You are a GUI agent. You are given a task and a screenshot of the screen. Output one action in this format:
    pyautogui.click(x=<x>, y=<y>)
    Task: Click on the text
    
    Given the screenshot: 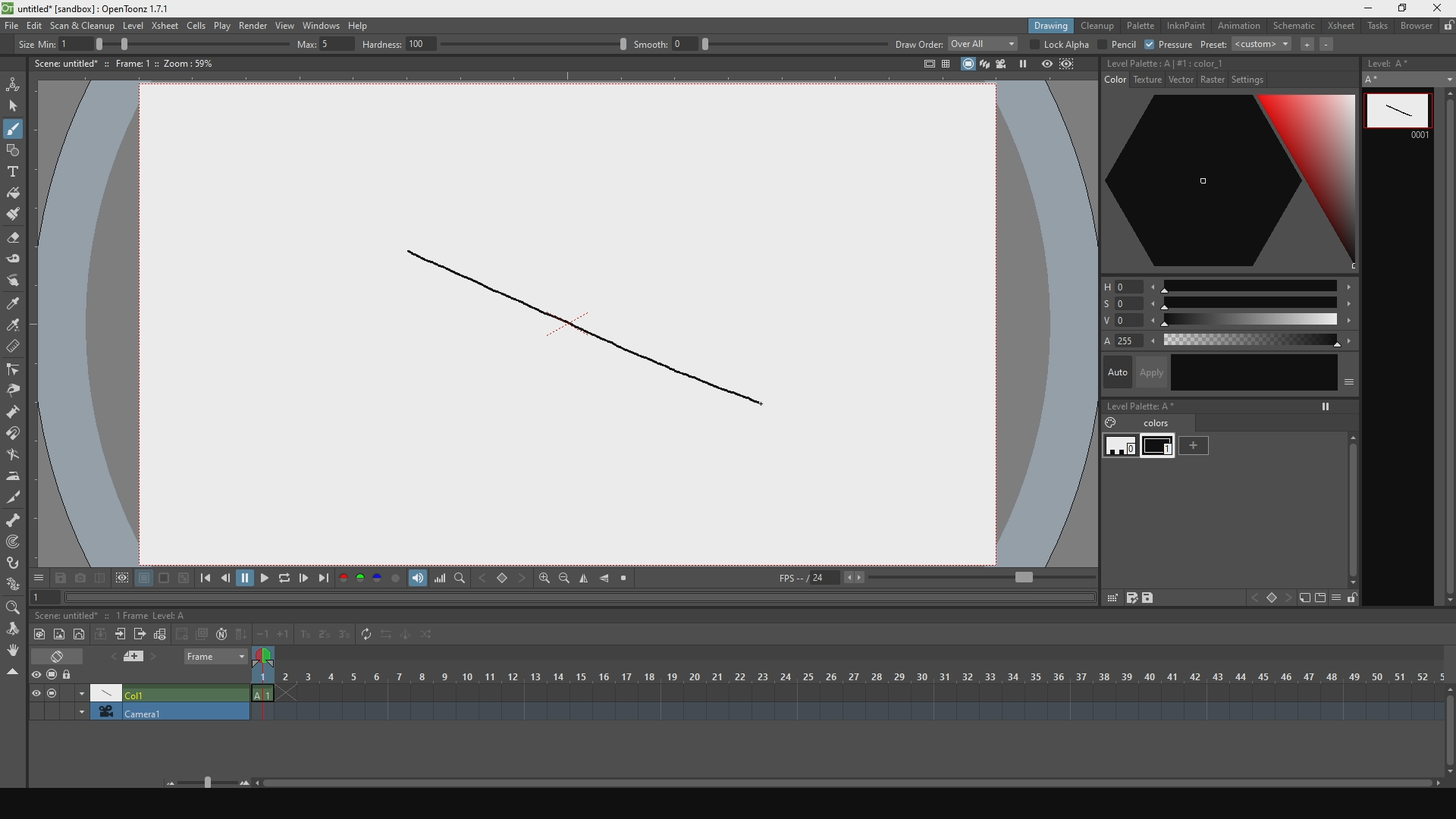 What is the action you would take?
    pyautogui.click(x=14, y=170)
    